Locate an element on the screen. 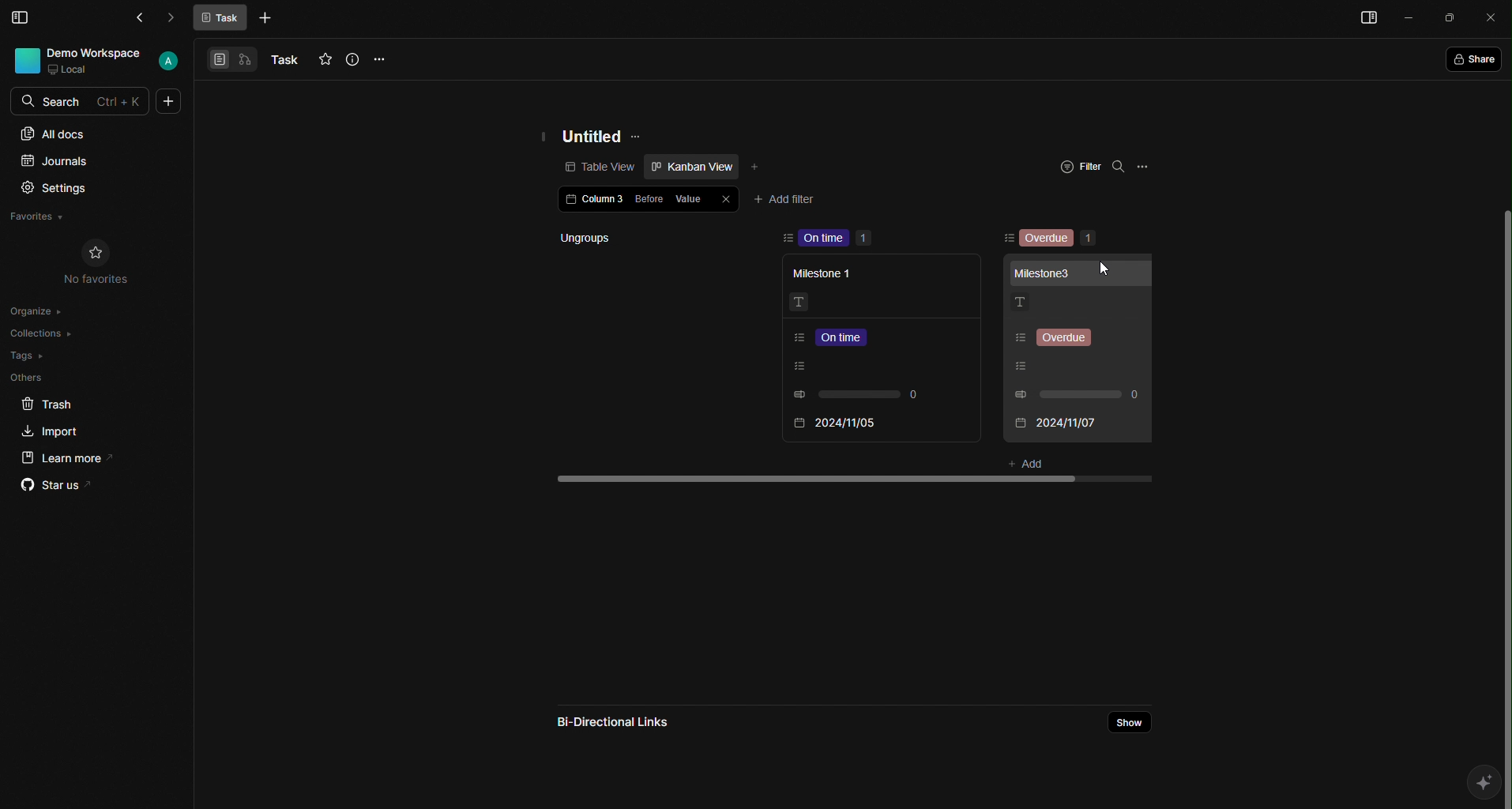  Trash is located at coordinates (47, 403).